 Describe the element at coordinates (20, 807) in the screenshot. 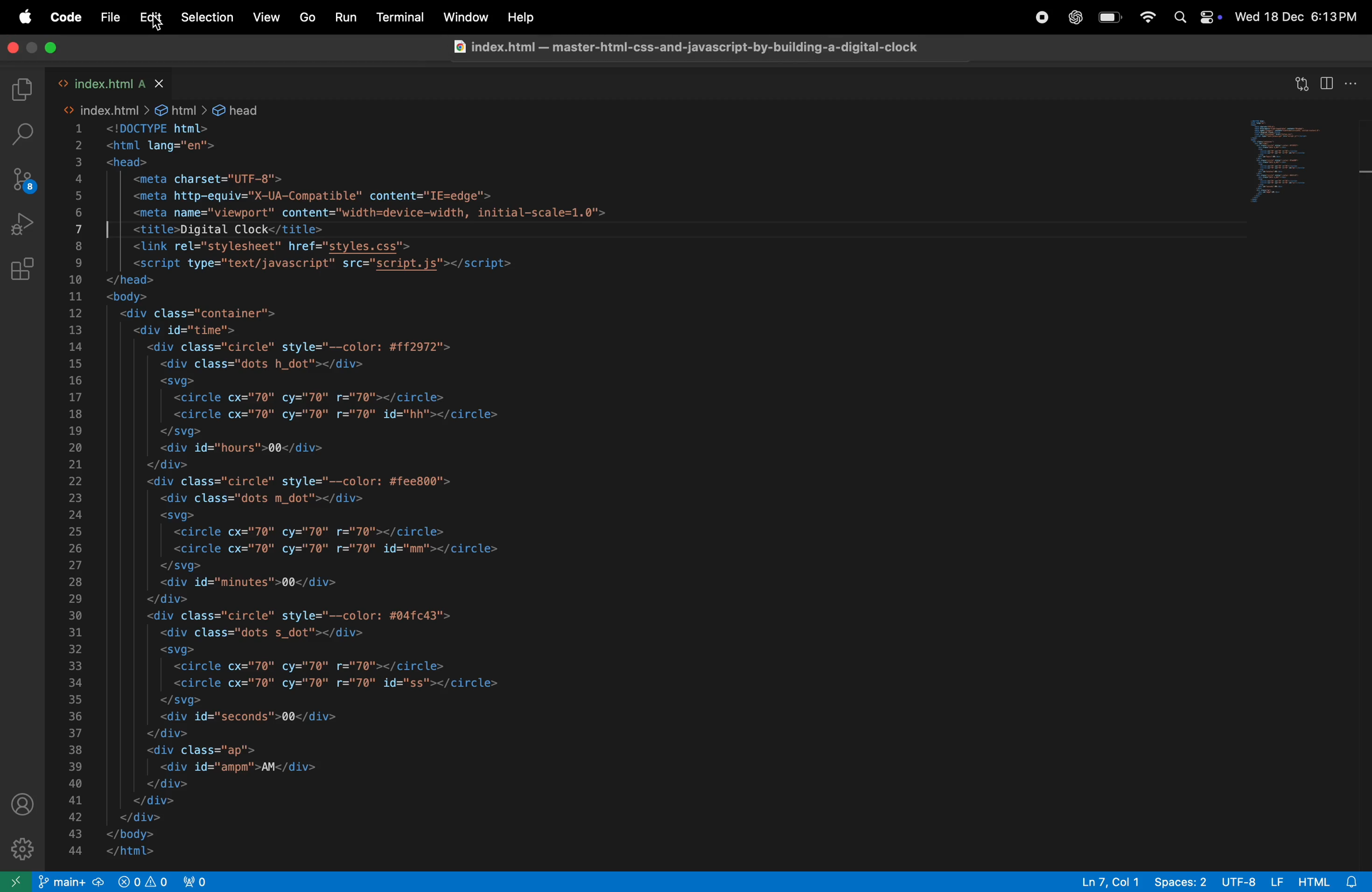

I see `profile` at that location.